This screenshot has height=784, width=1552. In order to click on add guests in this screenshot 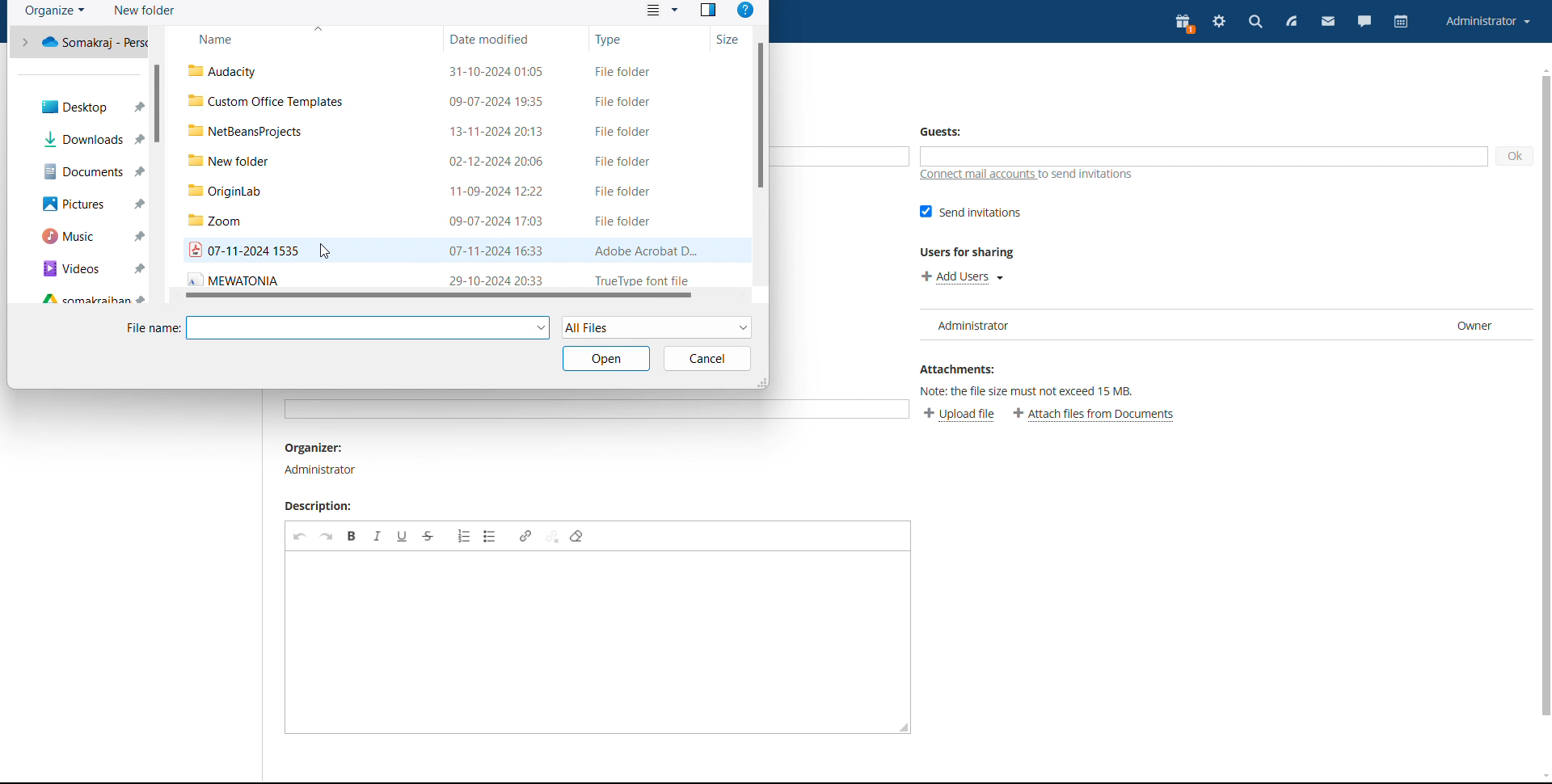, I will do `click(1202, 156)`.